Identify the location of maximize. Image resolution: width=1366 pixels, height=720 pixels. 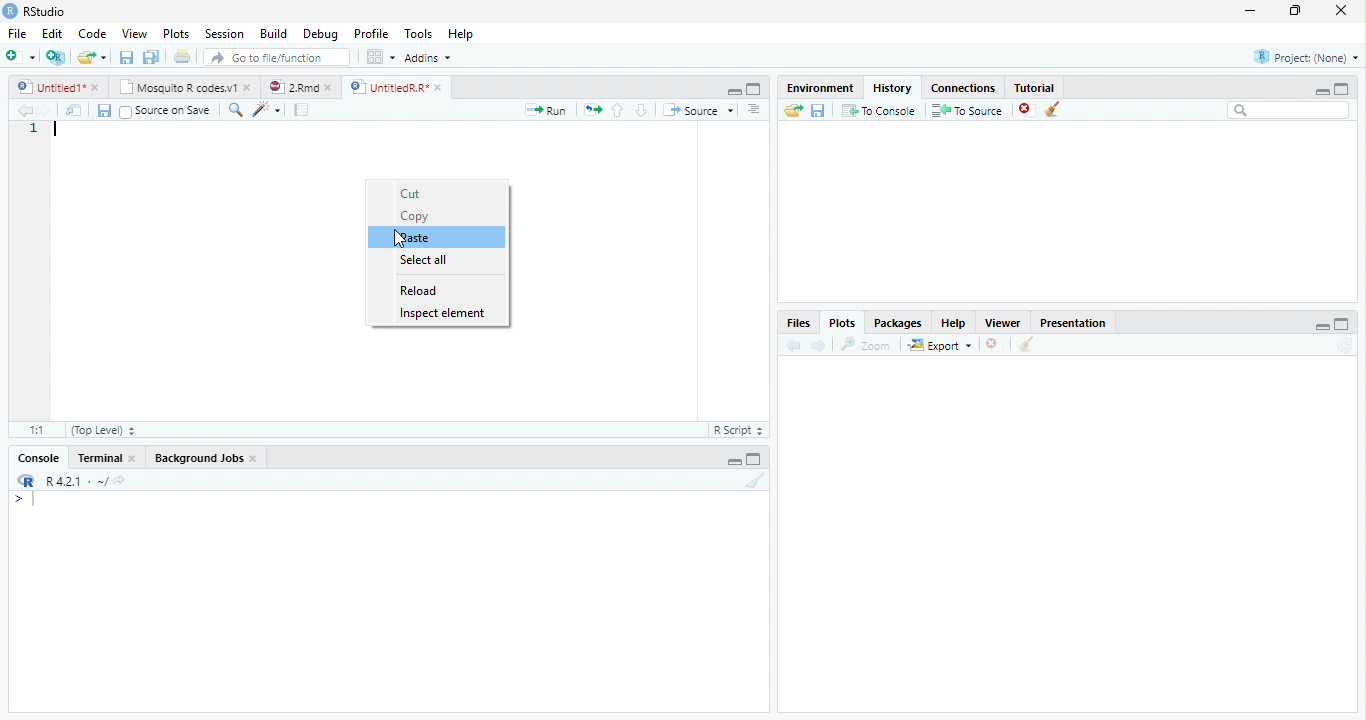
(1344, 323).